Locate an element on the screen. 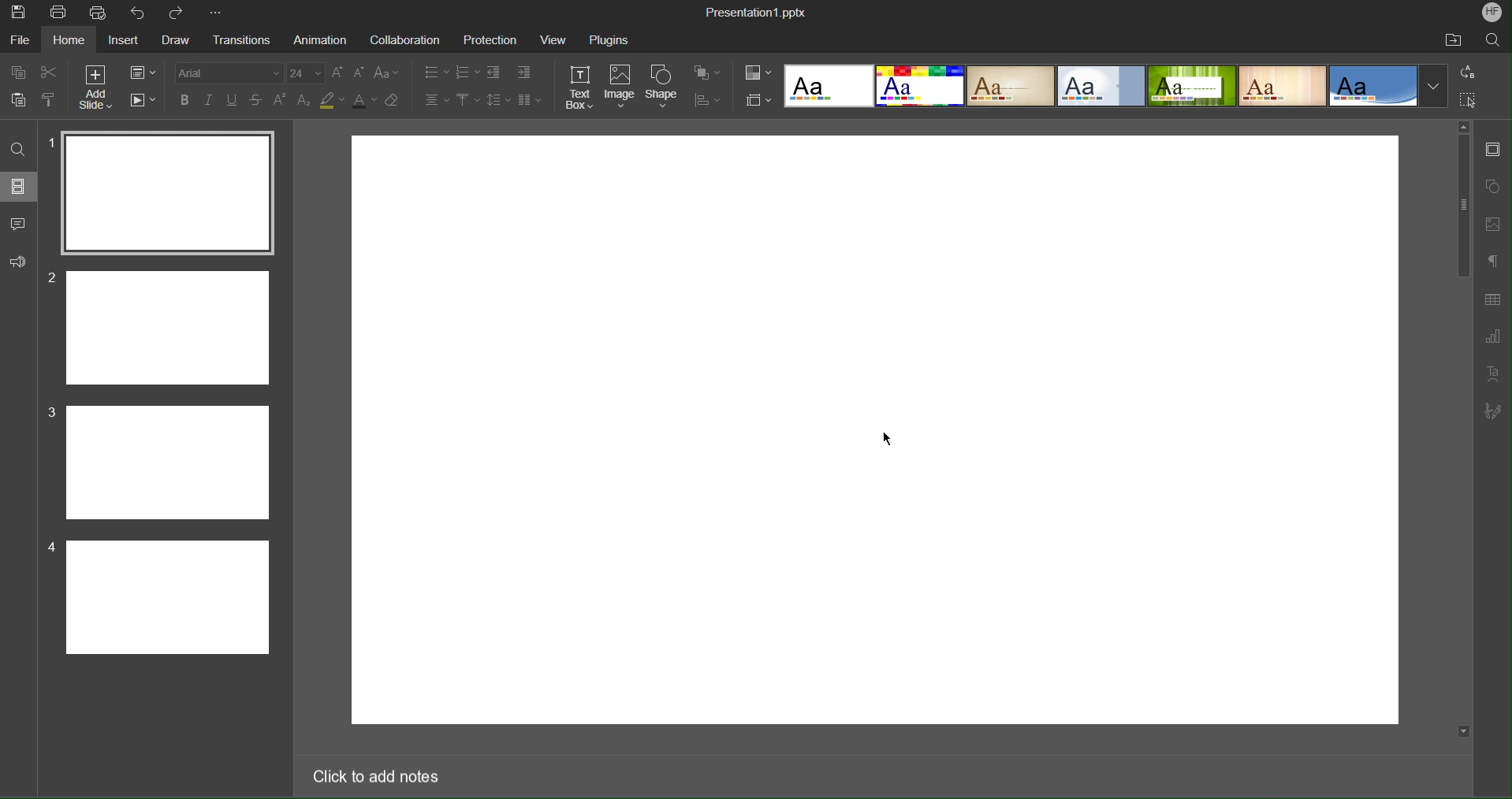  Redo is located at coordinates (178, 13).